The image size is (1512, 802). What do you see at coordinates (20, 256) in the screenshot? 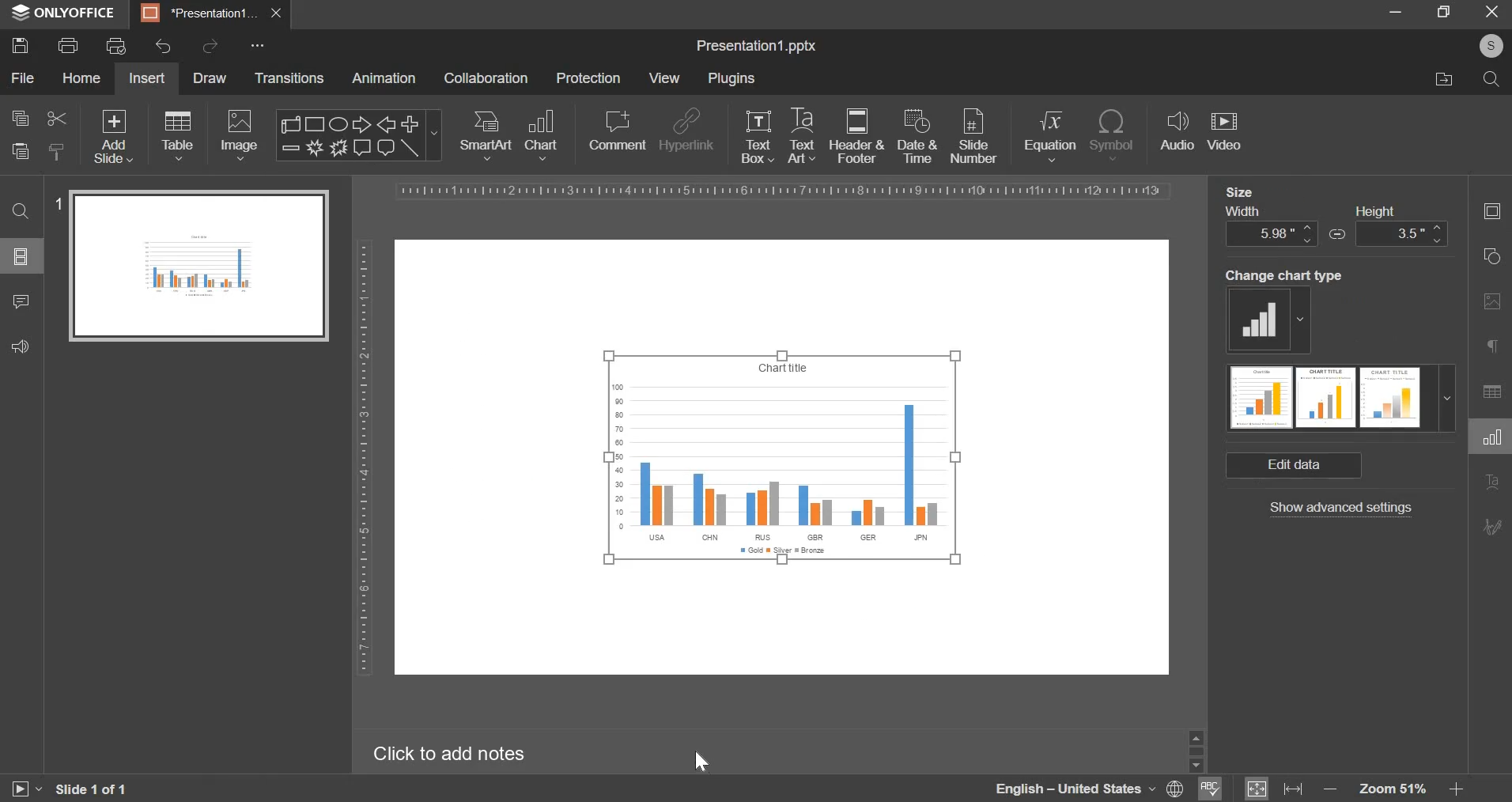
I see `slide menu` at bounding box center [20, 256].